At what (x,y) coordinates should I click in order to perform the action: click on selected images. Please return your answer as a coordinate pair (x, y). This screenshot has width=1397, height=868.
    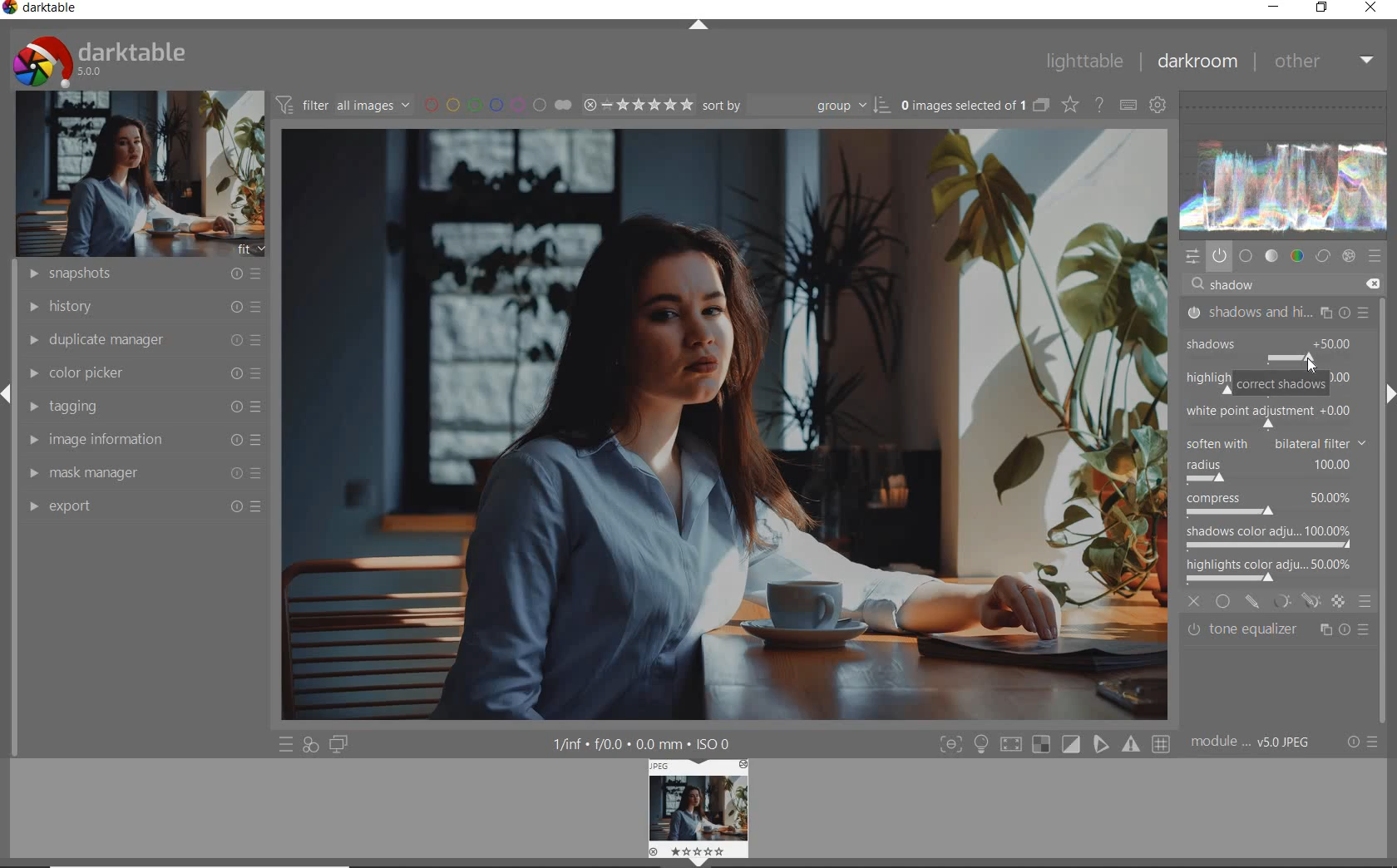
    Looking at the image, I should click on (961, 105).